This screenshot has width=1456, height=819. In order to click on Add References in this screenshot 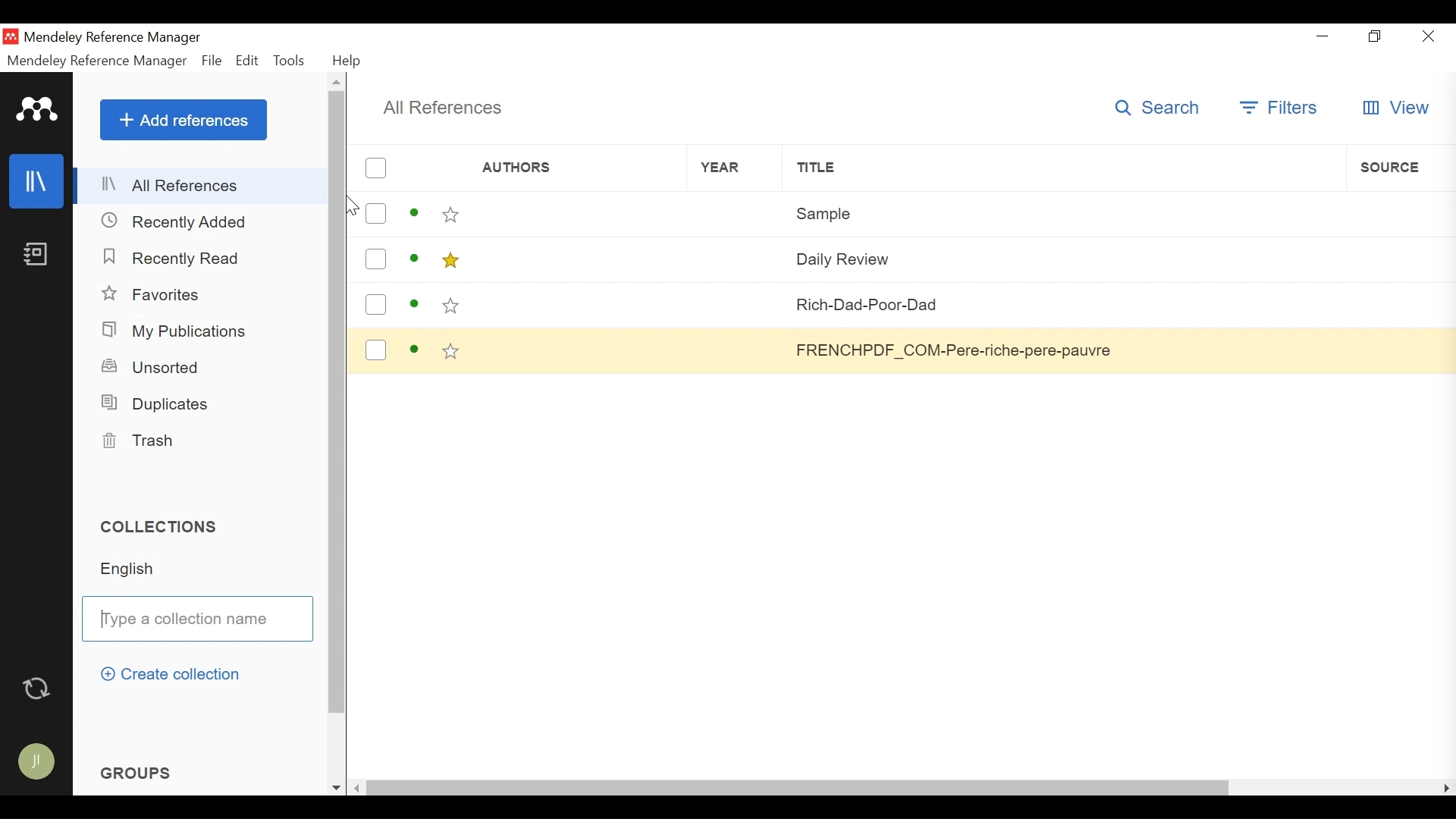, I will do `click(184, 119)`.